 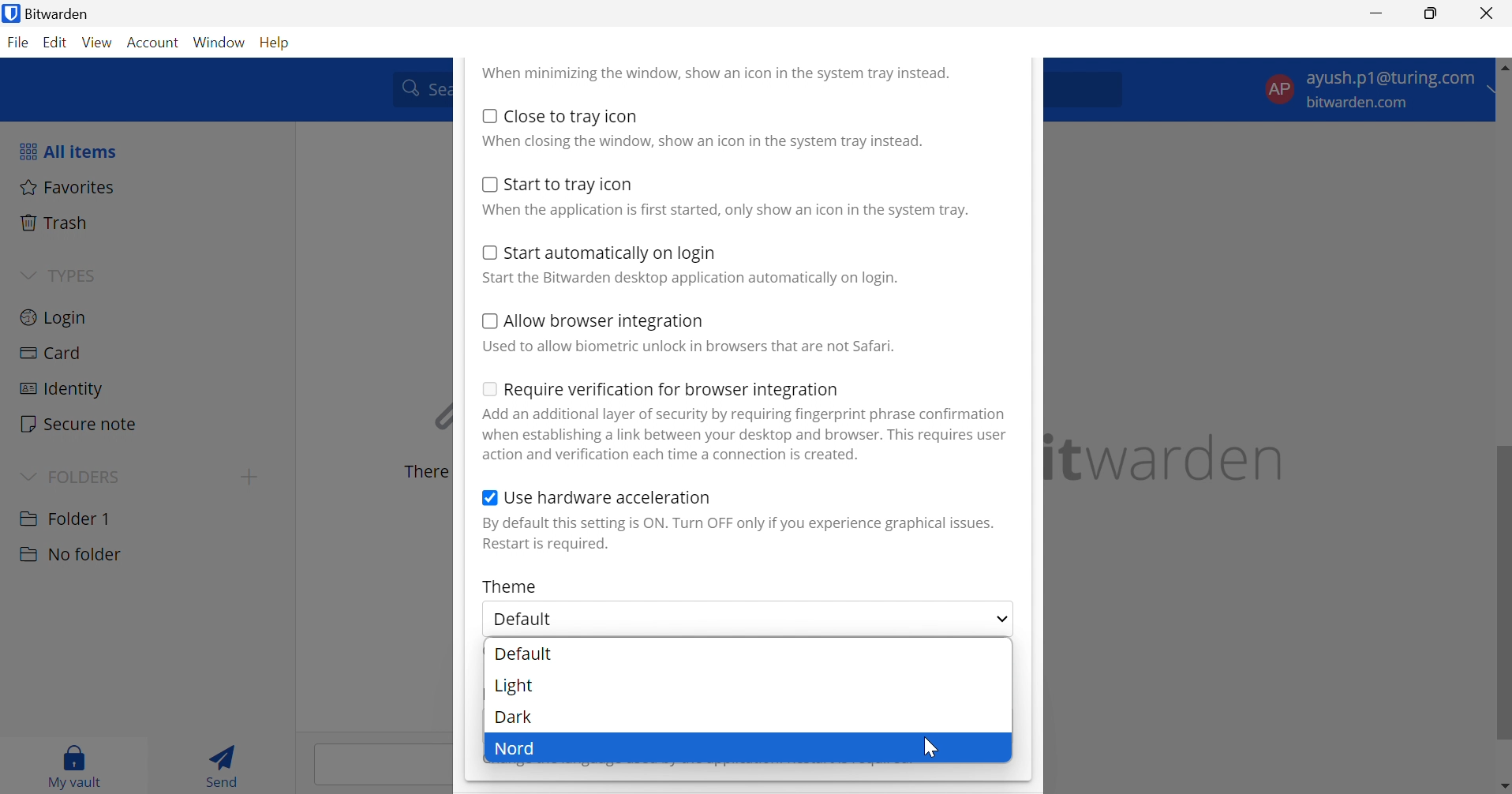 What do you see at coordinates (747, 414) in the screenshot?
I see `Add an additional layer of security by requiring fingerprint phrase confirmation` at bounding box center [747, 414].